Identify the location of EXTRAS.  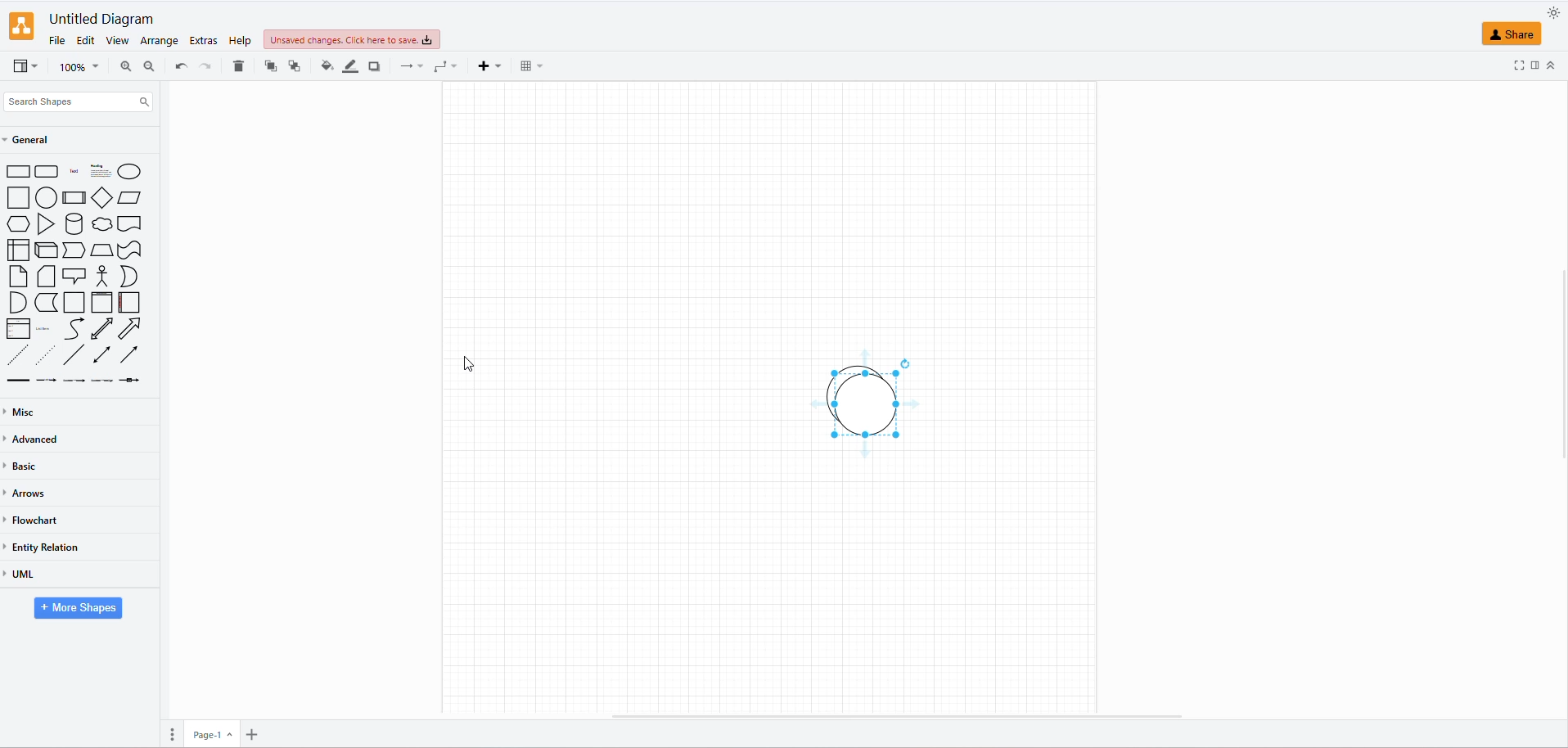
(202, 41).